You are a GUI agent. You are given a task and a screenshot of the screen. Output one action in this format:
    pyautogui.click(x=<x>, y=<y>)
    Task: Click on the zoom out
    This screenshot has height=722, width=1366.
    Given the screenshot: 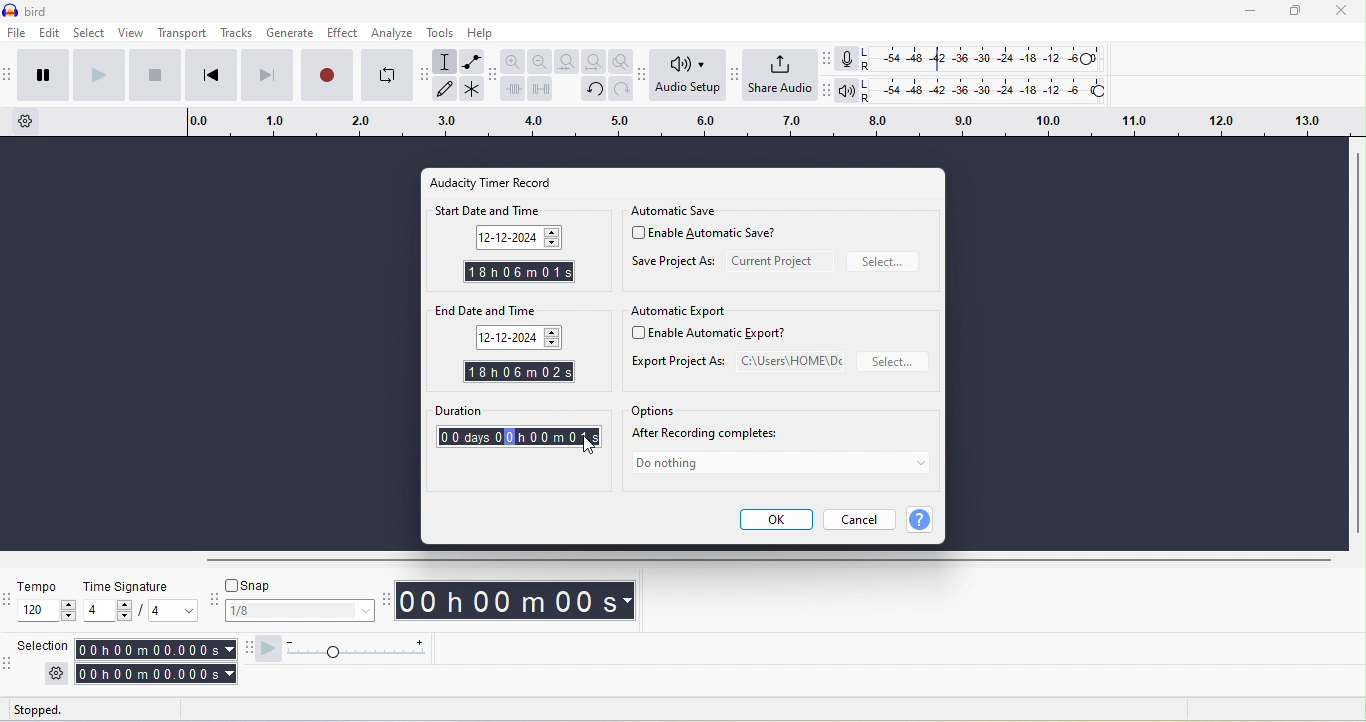 What is the action you would take?
    pyautogui.click(x=537, y=61)
    